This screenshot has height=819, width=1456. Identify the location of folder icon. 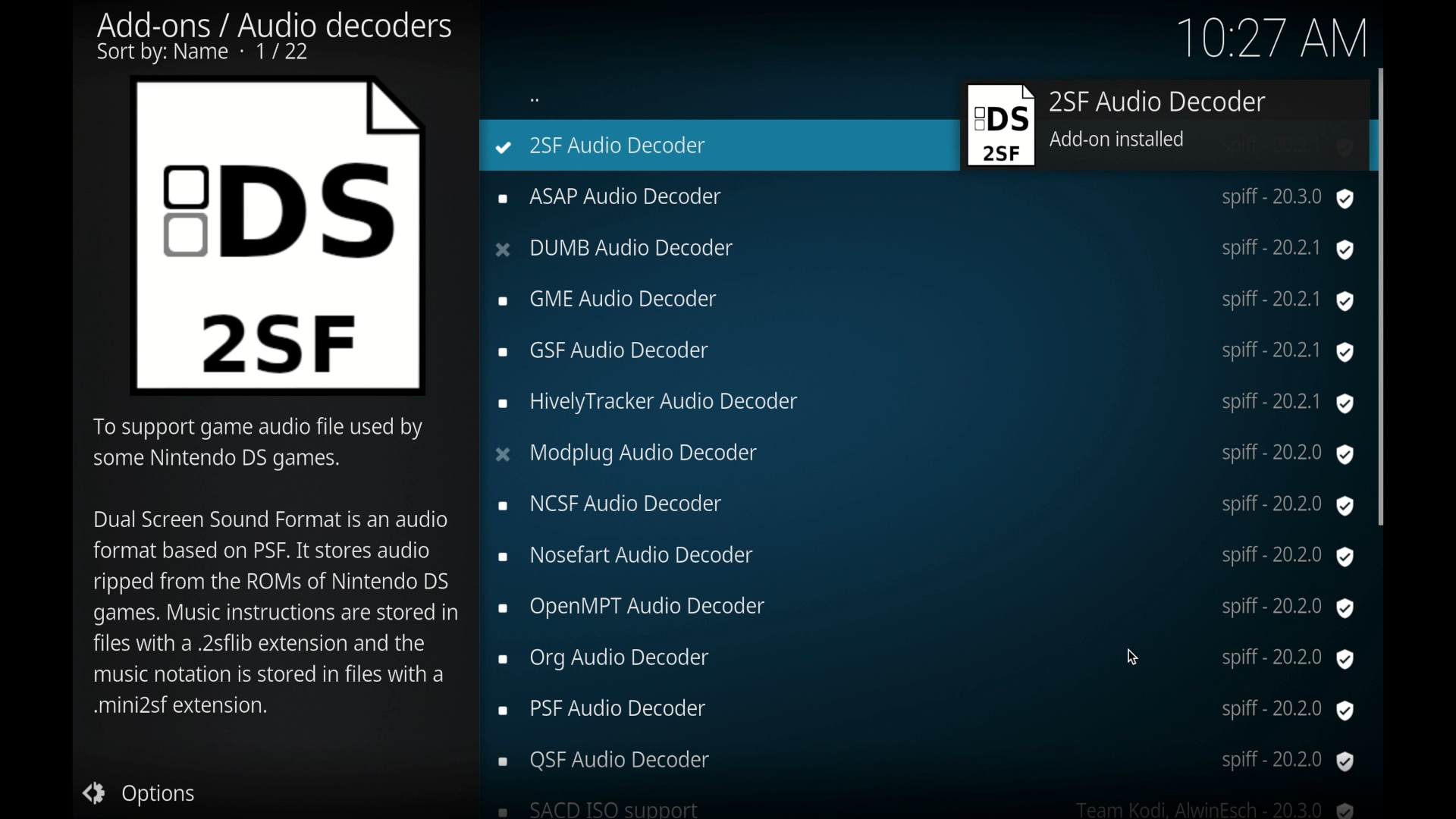
(279, 237).